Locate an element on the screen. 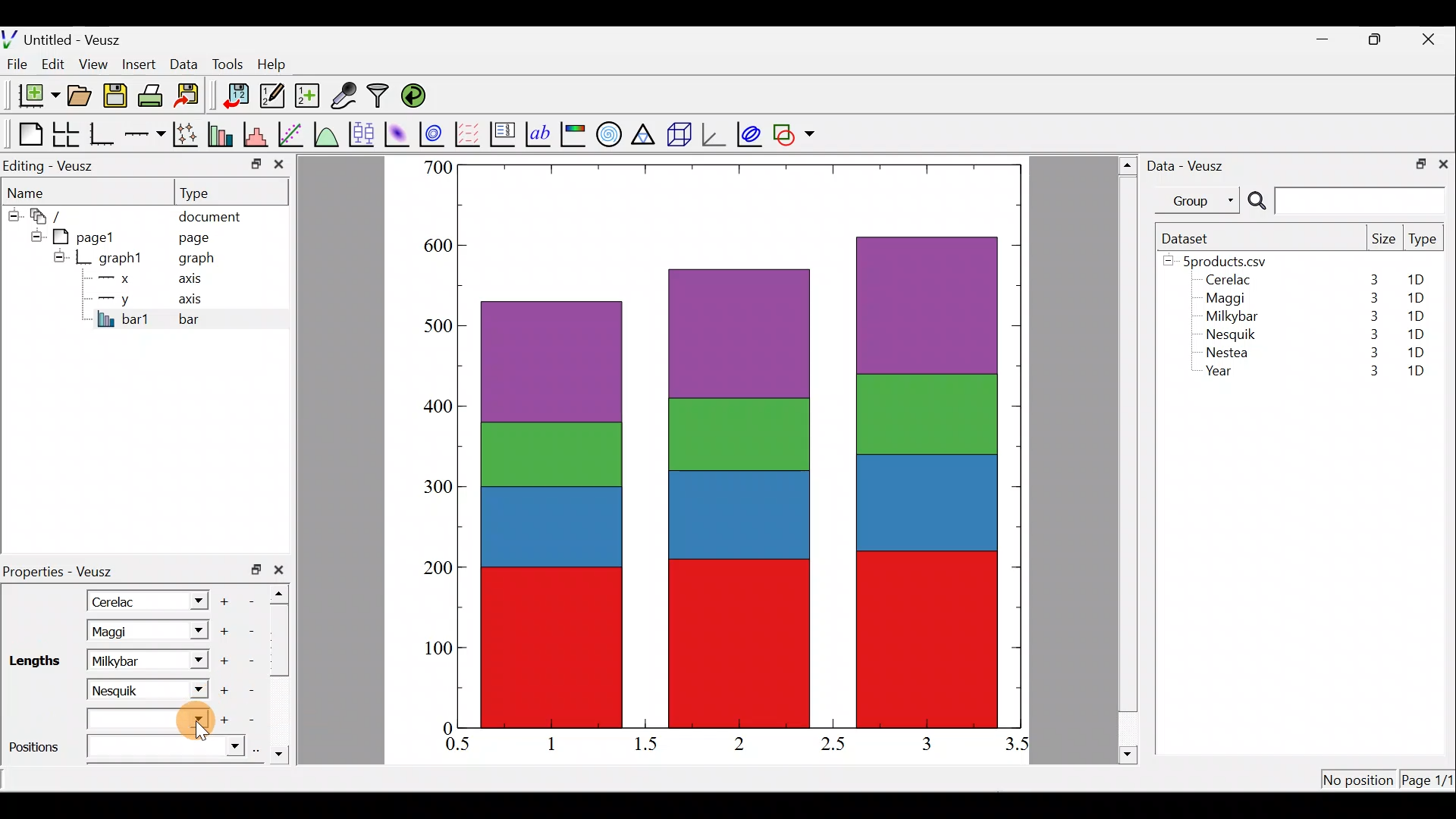  Base graph is located at coordinates (103, 134).